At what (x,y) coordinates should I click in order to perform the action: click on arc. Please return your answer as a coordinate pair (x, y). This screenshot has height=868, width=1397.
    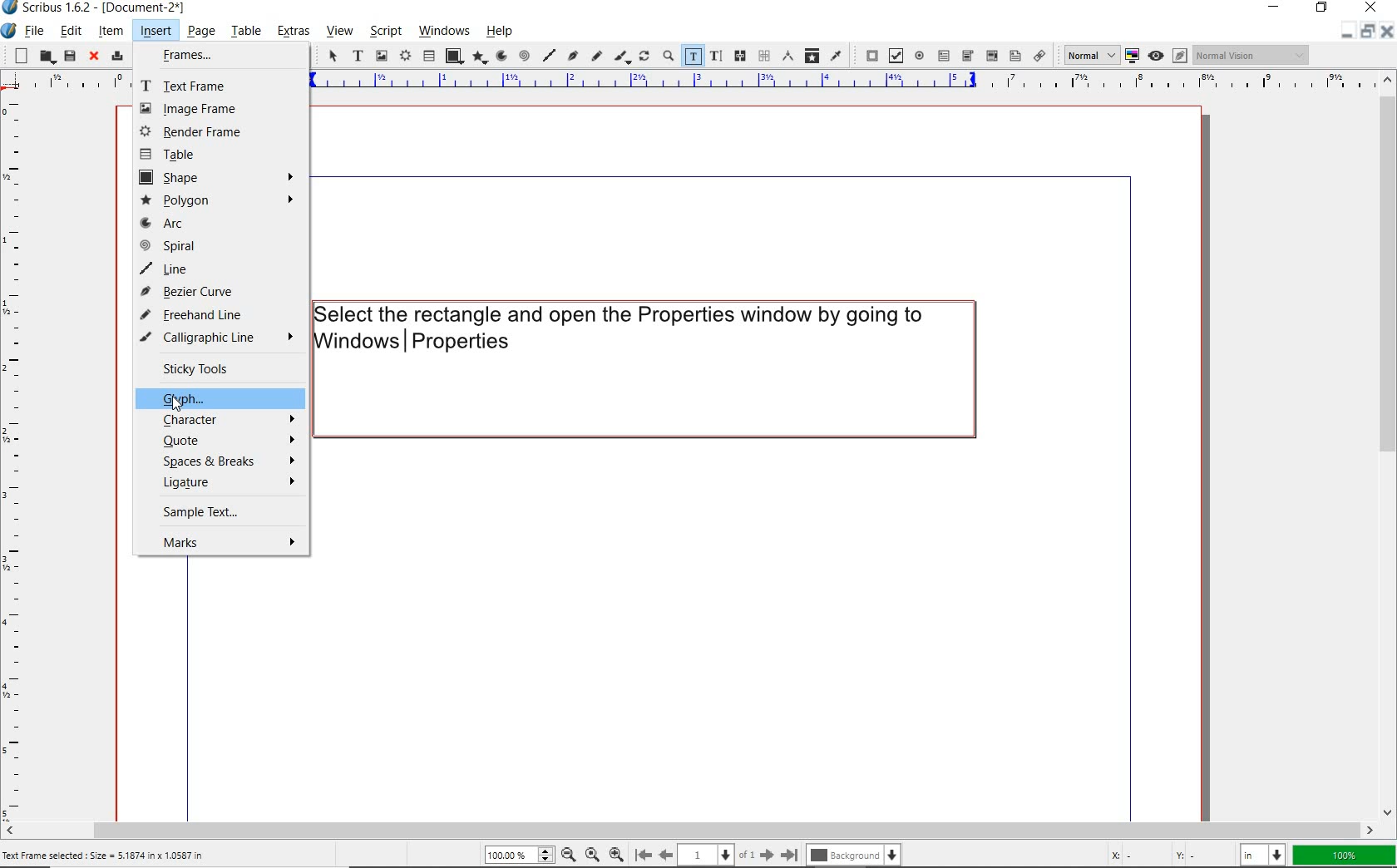
    Looking at the image, I should click on (501, 56).